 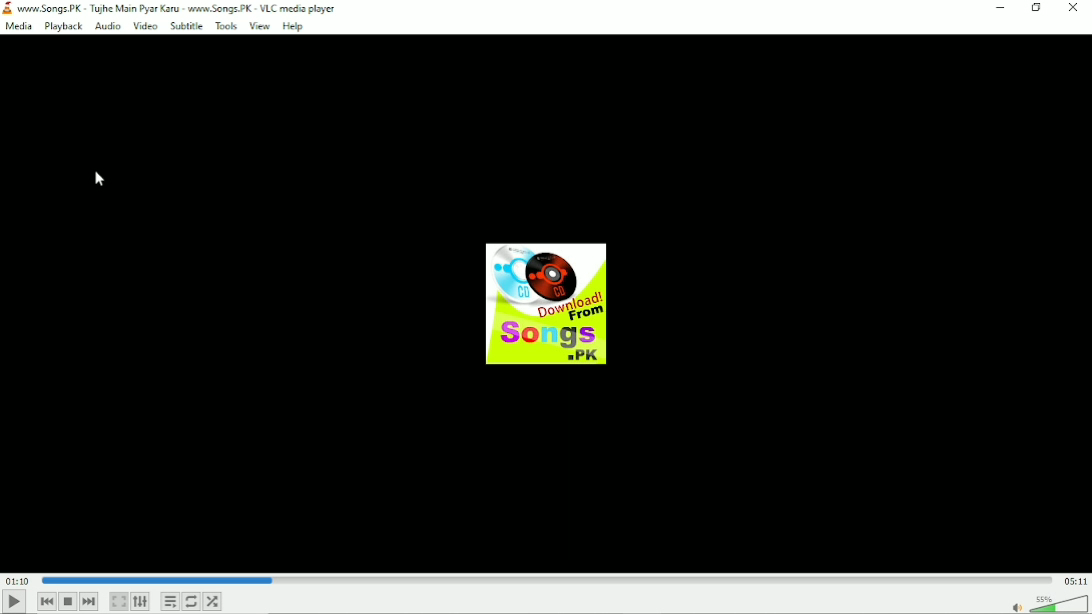 What do you see at coordinates (544, 579) in the screenshot?
I see `Play duration` at bounding box center [544, 579].